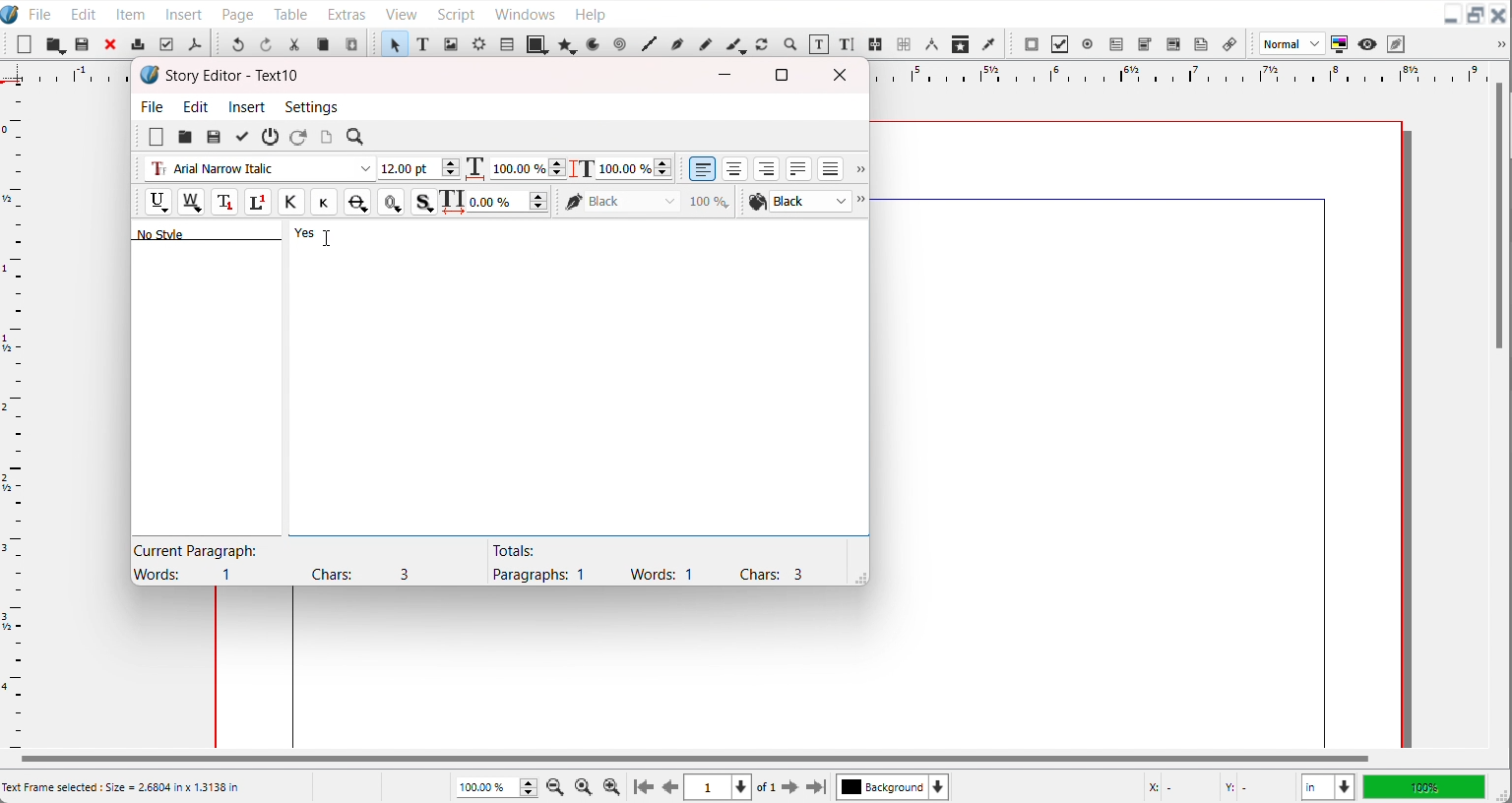  What do you see at coordinates (40, 13) in the screenshot?
I see `File` at bounding box center [40, 13].